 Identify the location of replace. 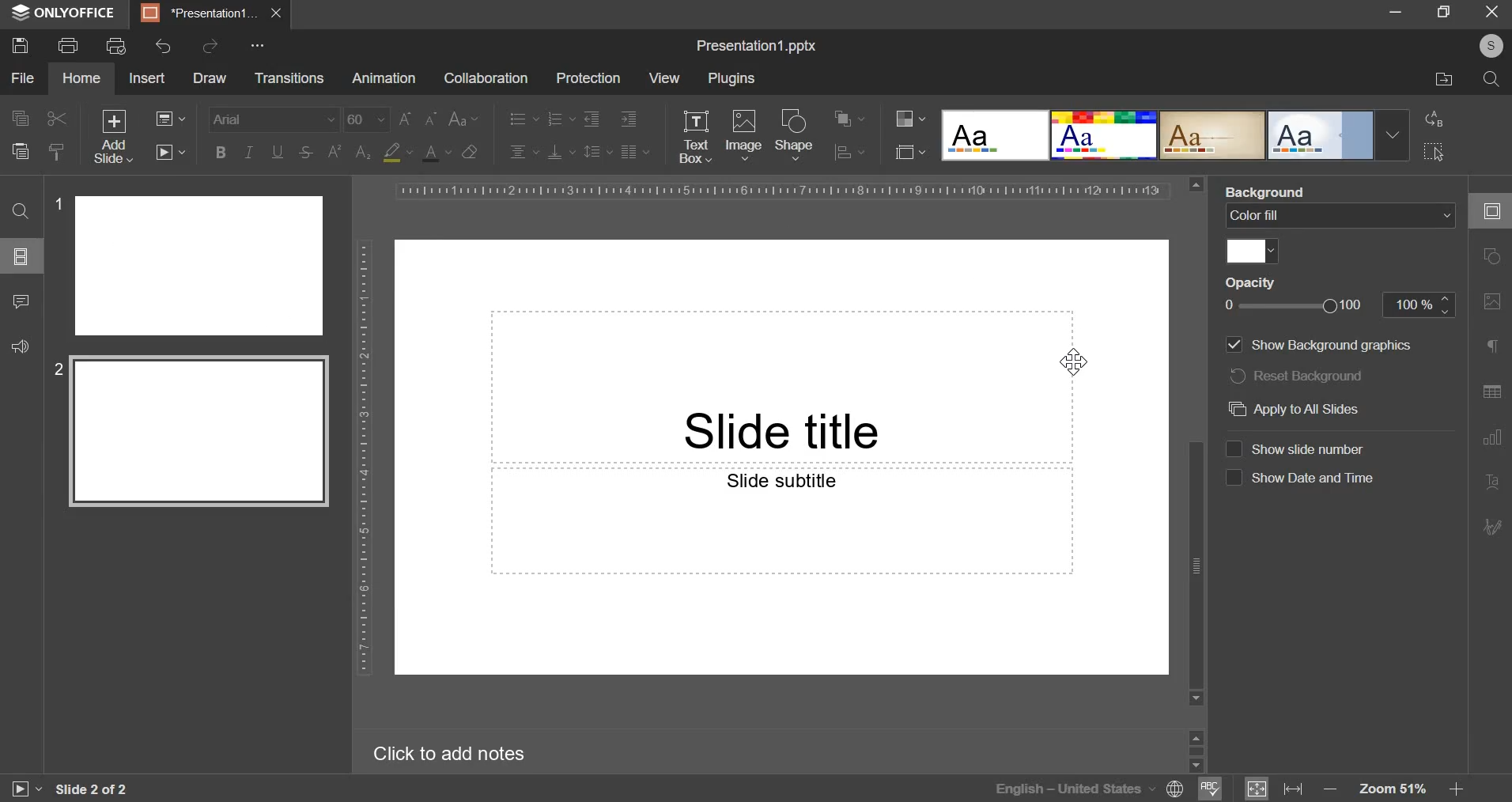
(1431, 119).